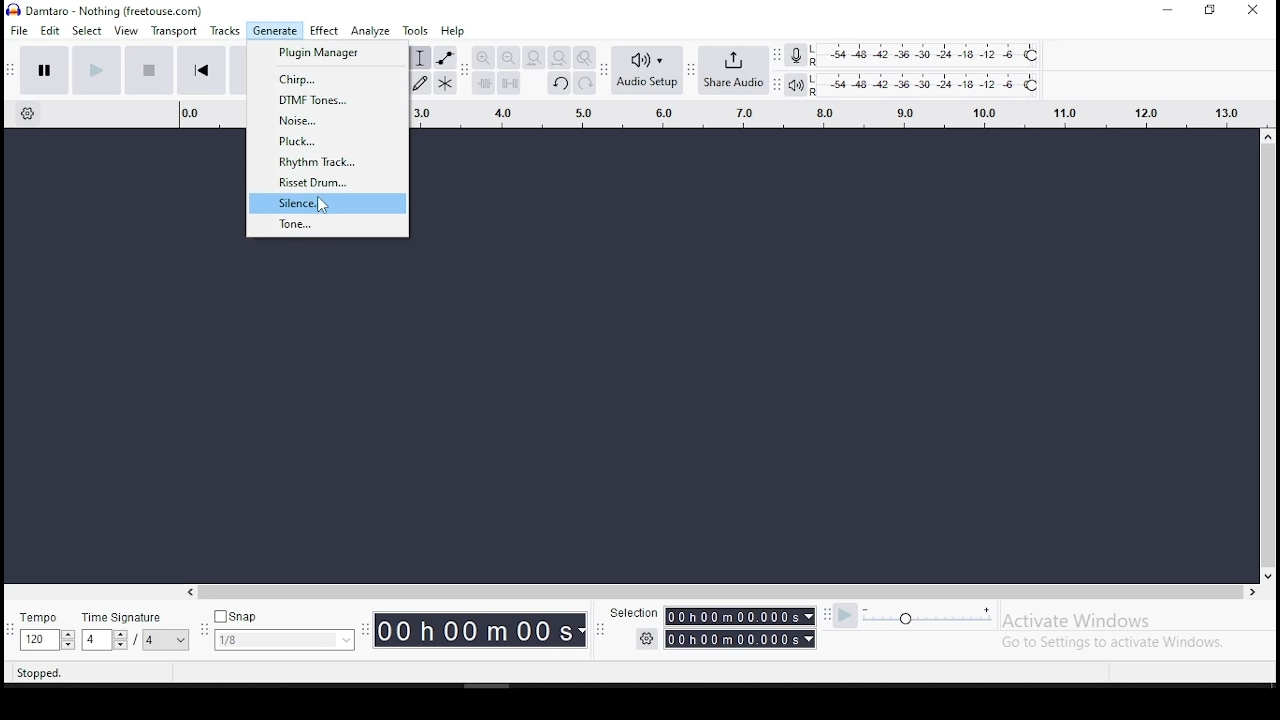  What do you see at coordinates (825, 114) in the screenshot?
I see `track's timing` at bounding box center [825, 114].